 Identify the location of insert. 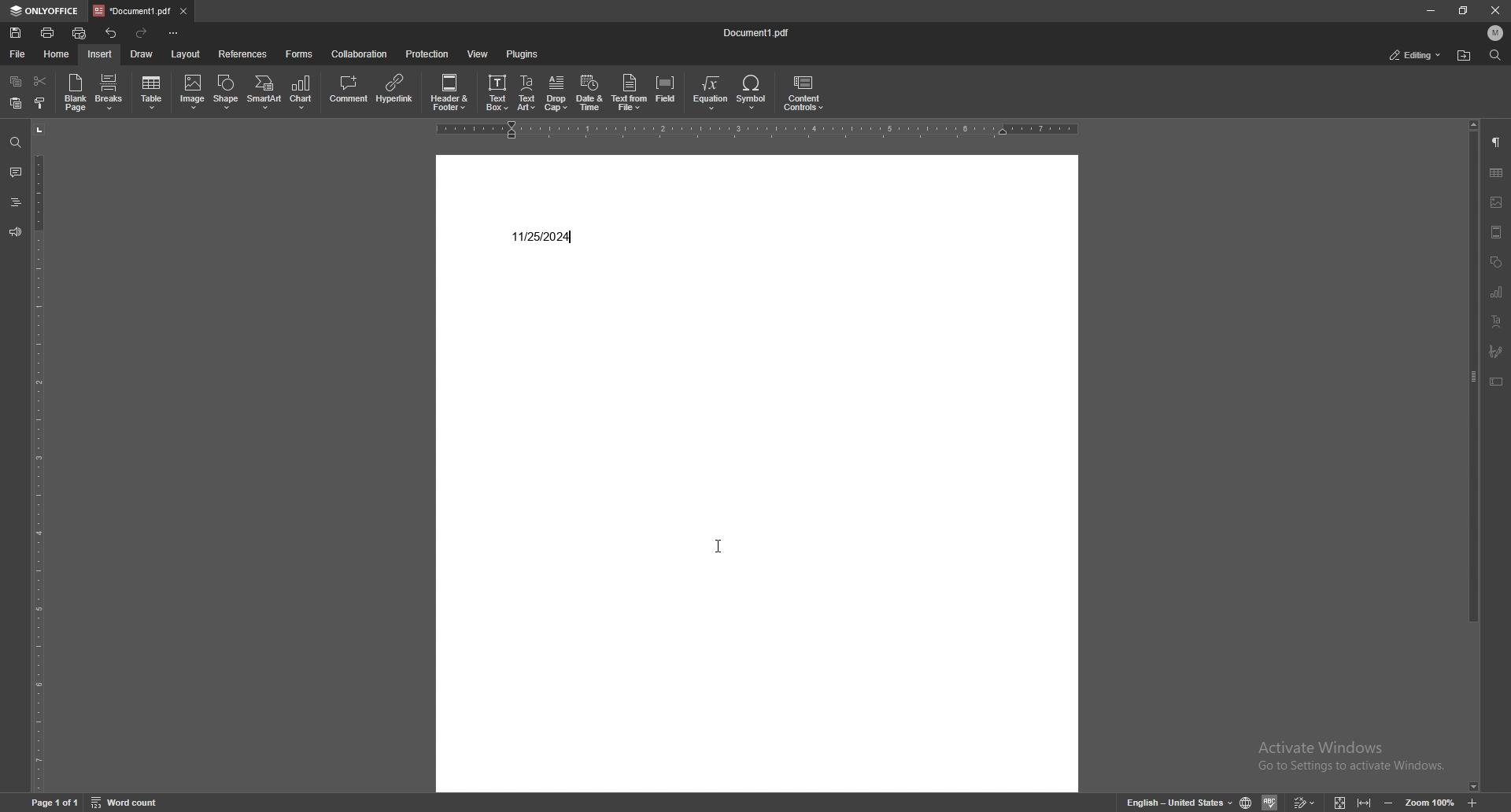
(102, 54).